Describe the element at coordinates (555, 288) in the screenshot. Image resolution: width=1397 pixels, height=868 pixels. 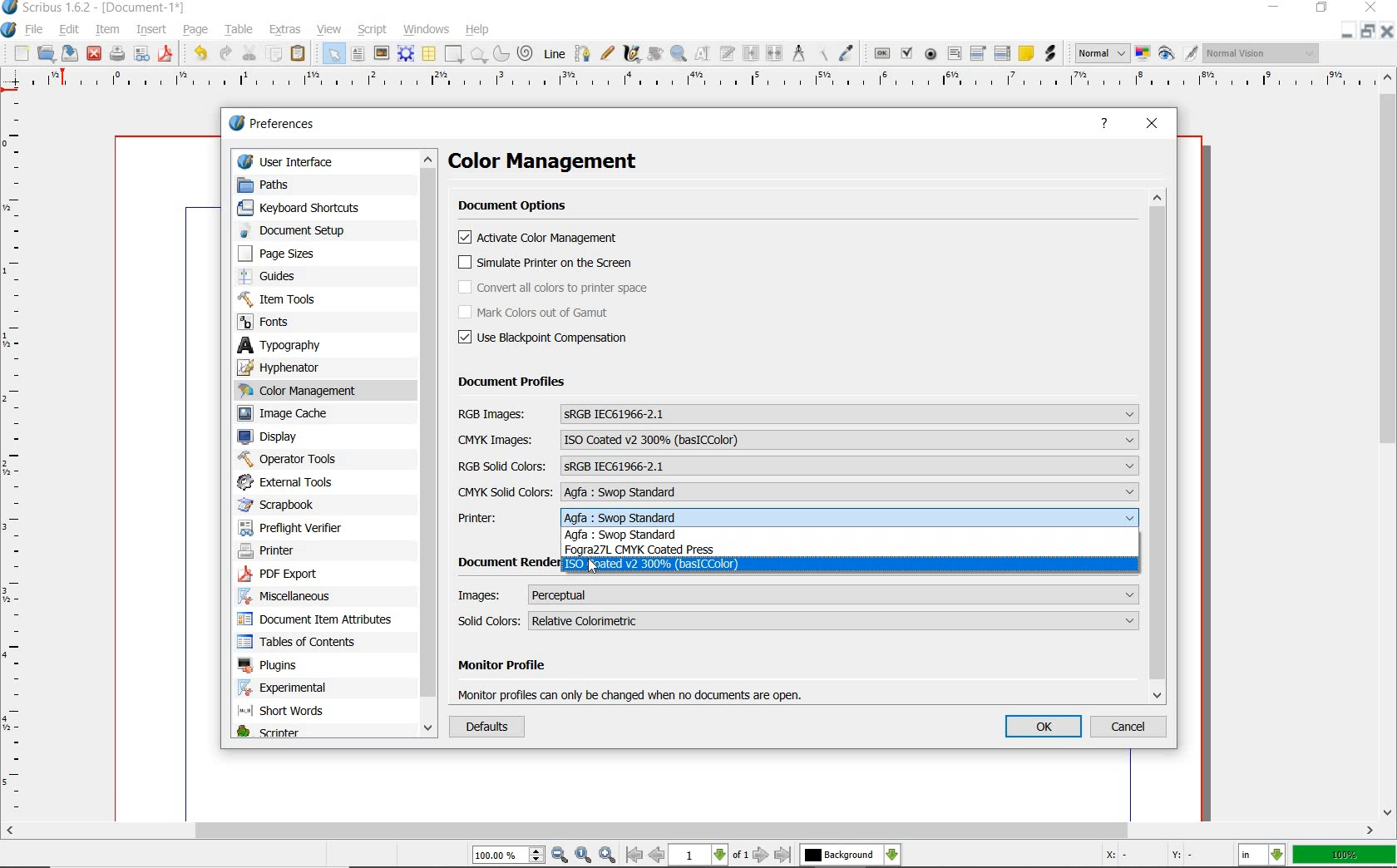
I see `convert all colors to printer space` at that location.